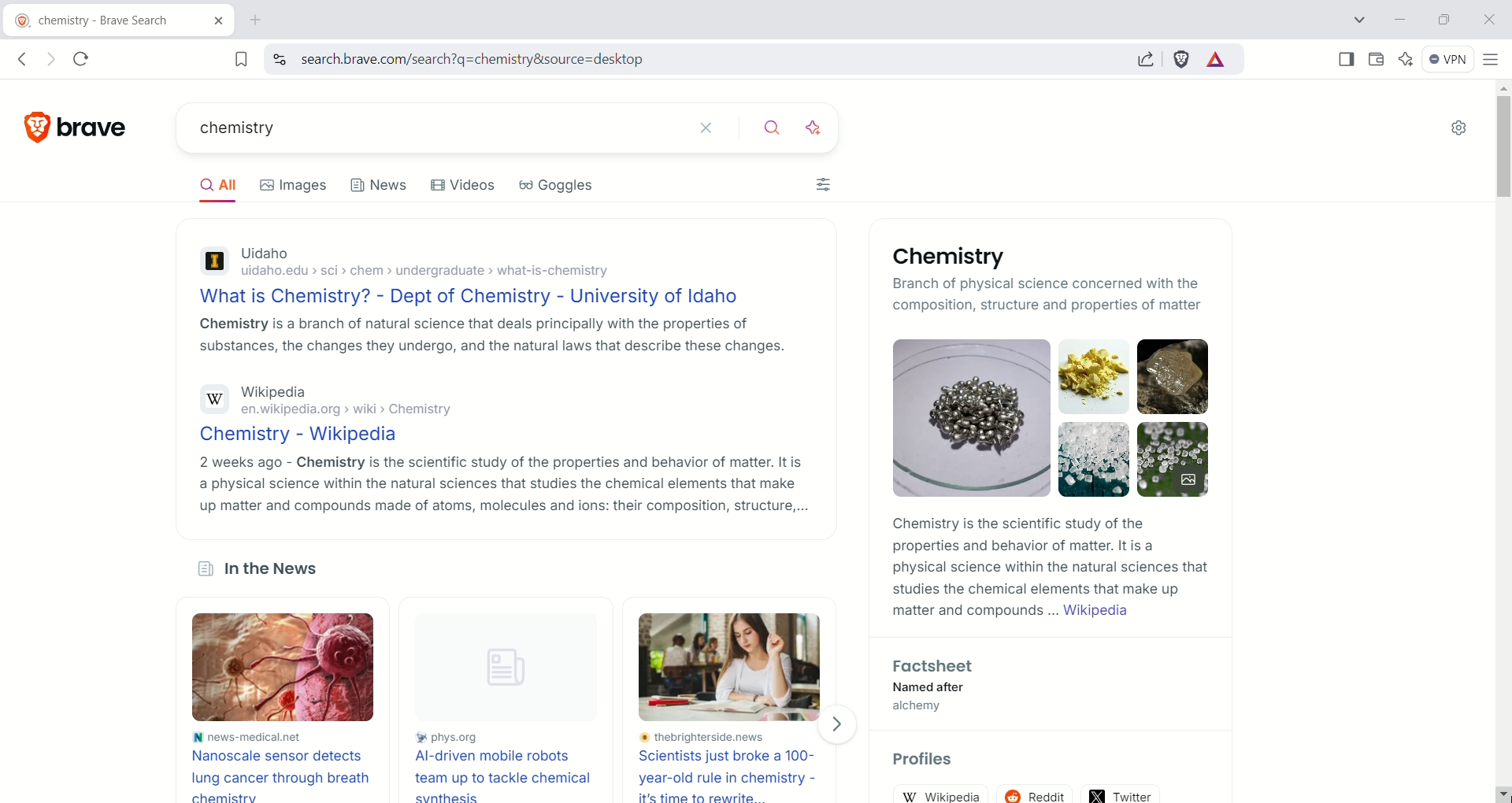 This screenshot has width=1512, height=803. Describe the element at coordinates (98, 122) in the screenshot. I see `brave` at that location.